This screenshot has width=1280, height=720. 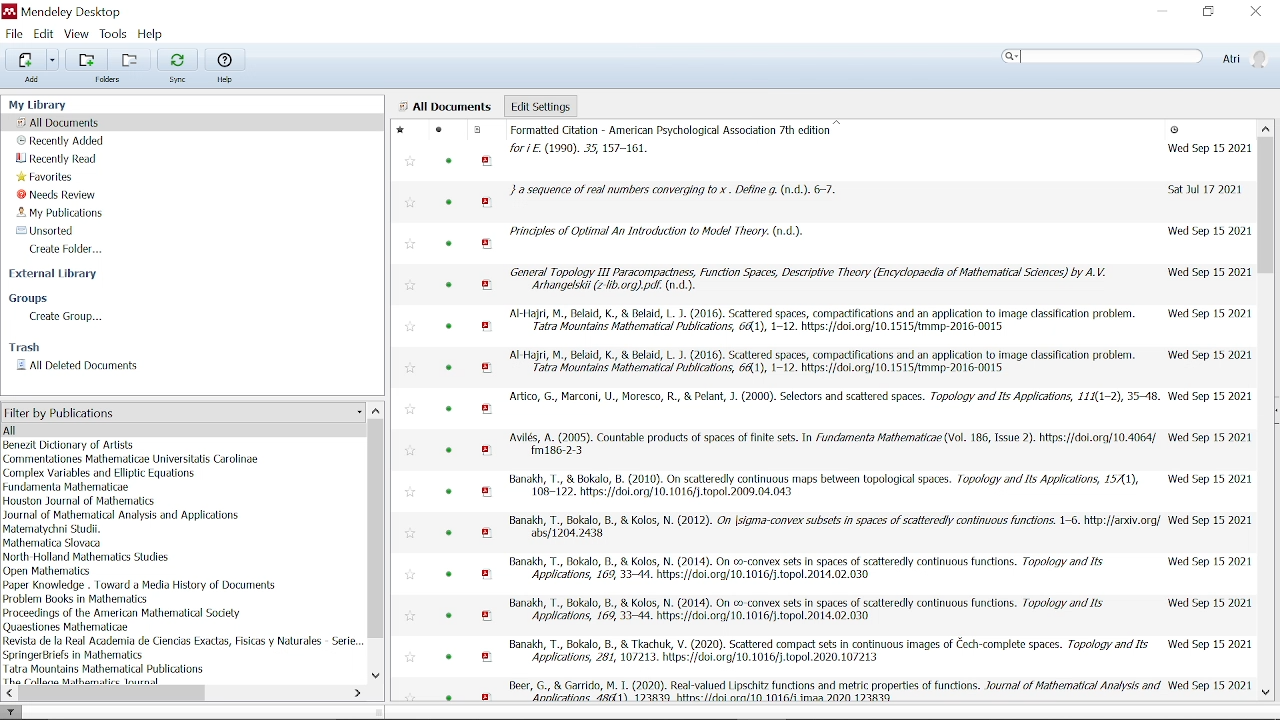 I want to click on pdf, so click(x=488, y=161).